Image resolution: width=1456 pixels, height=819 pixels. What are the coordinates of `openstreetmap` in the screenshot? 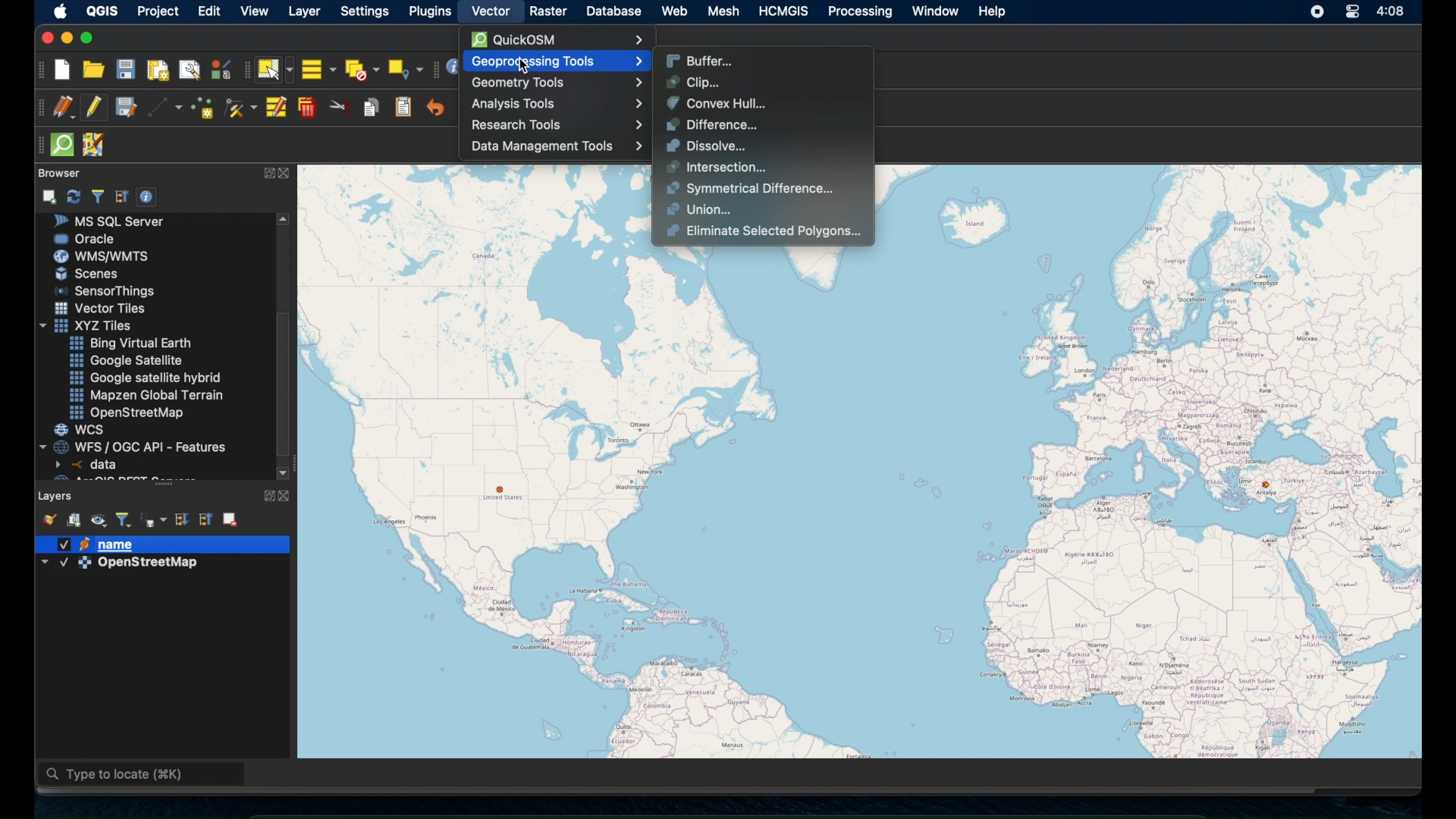 It's located at (130, 413).